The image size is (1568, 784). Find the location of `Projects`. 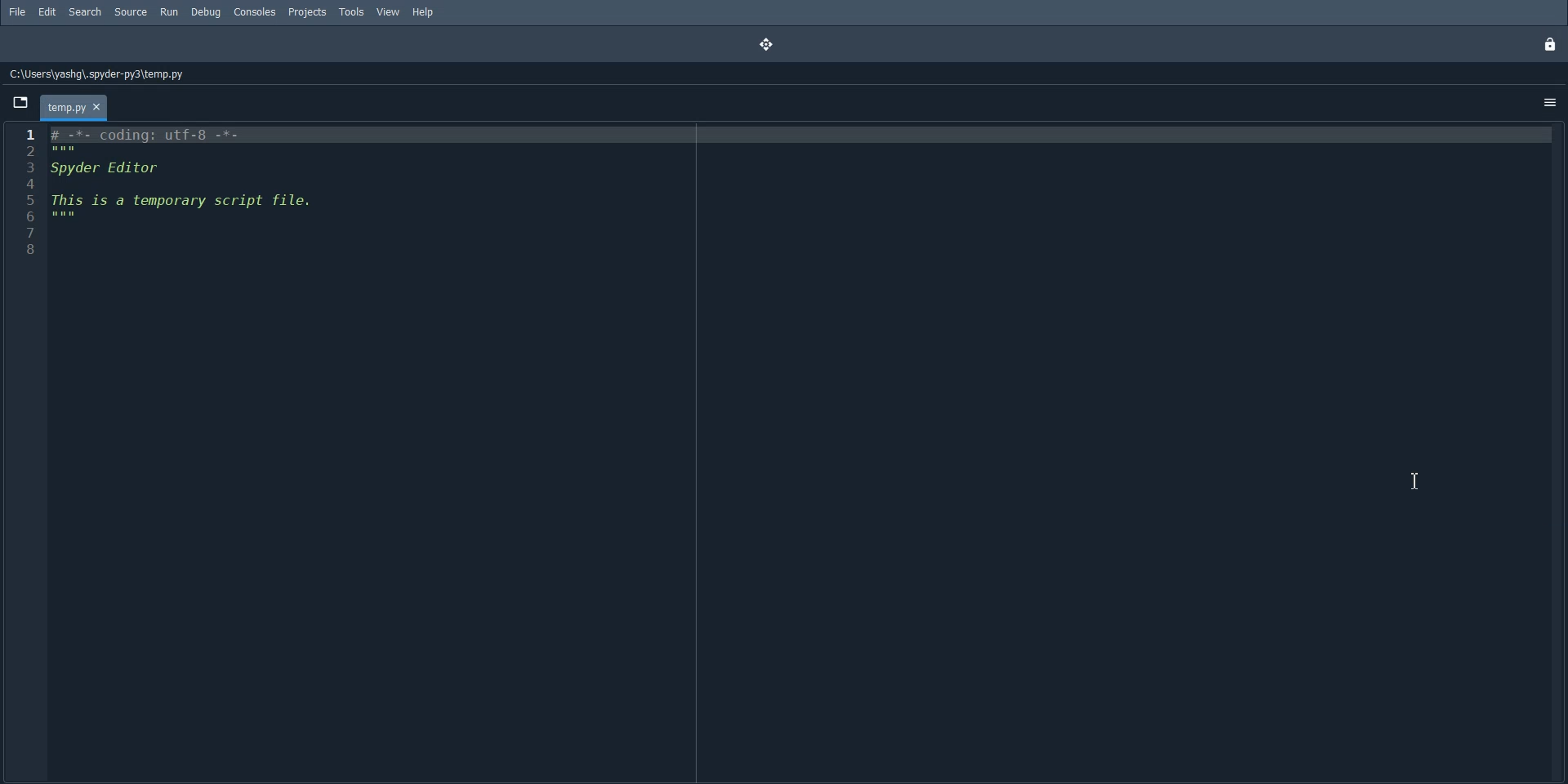

Projects is located at coordinates (307, 11).